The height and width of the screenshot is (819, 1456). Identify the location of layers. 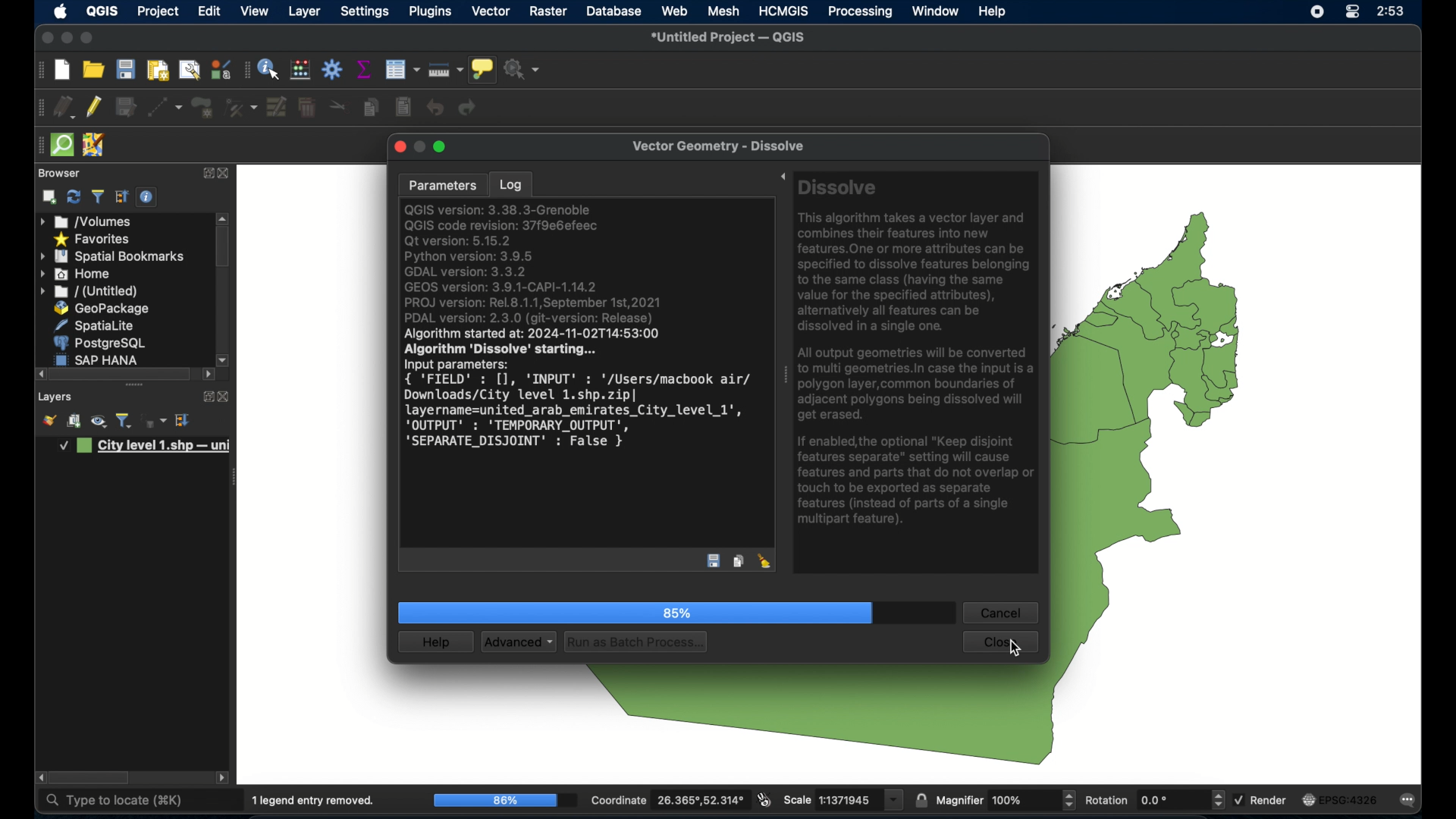
(55, 397).